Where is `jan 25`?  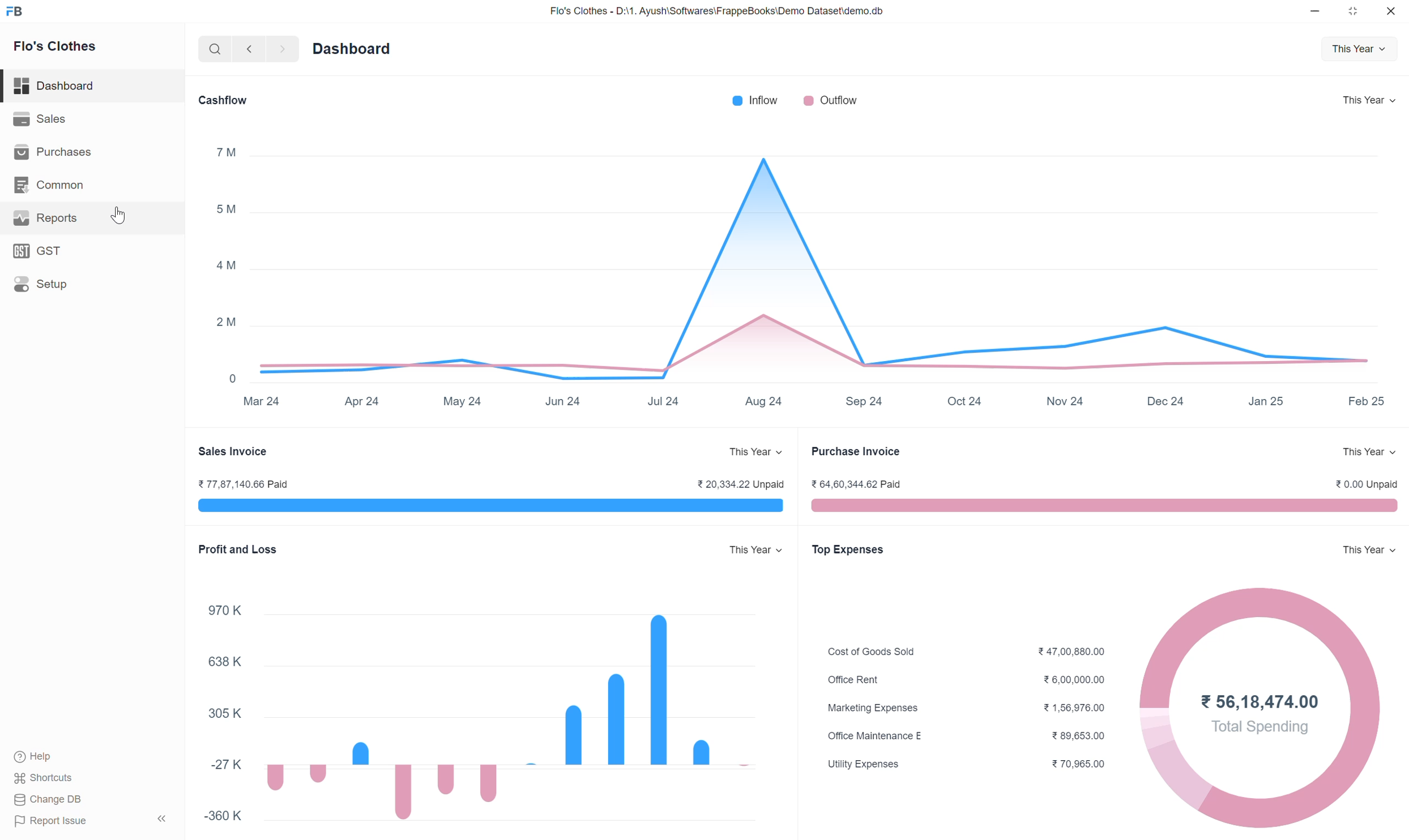 jan 25 is located at coordinates (1266, 402).